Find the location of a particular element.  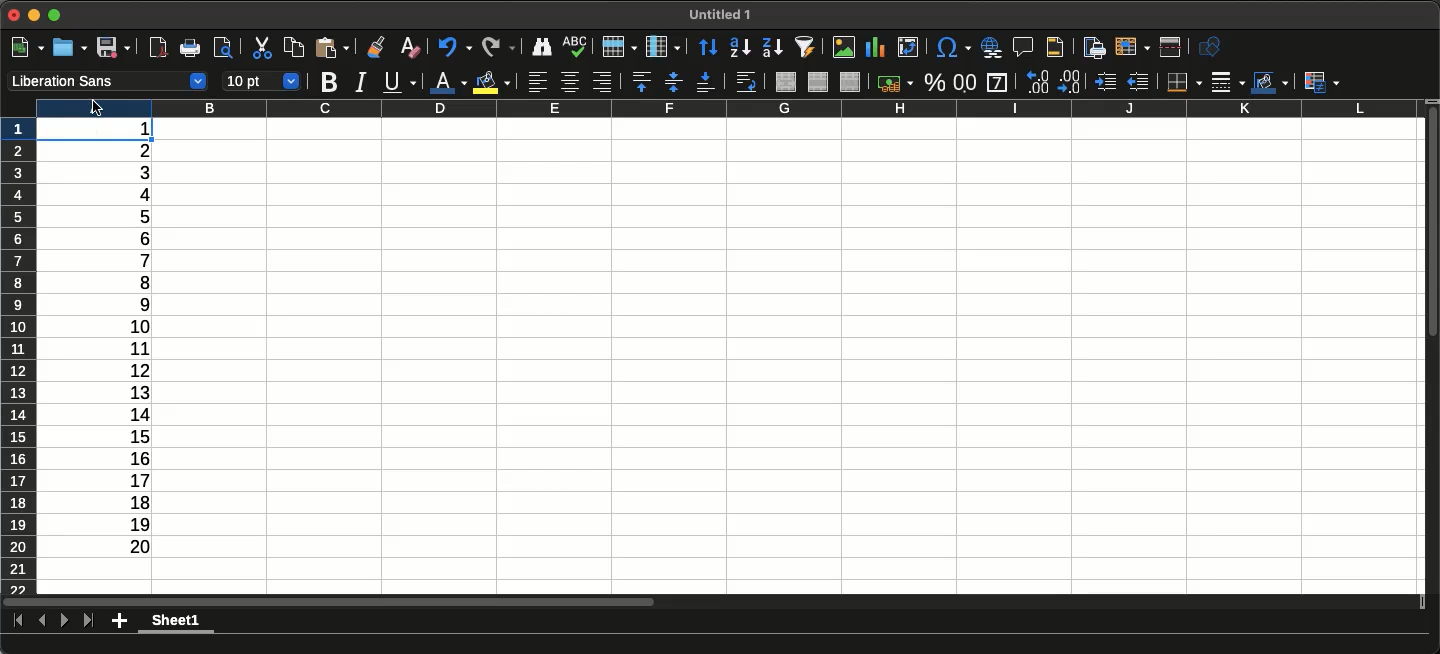

Align right is located at coordinates (602, 83).